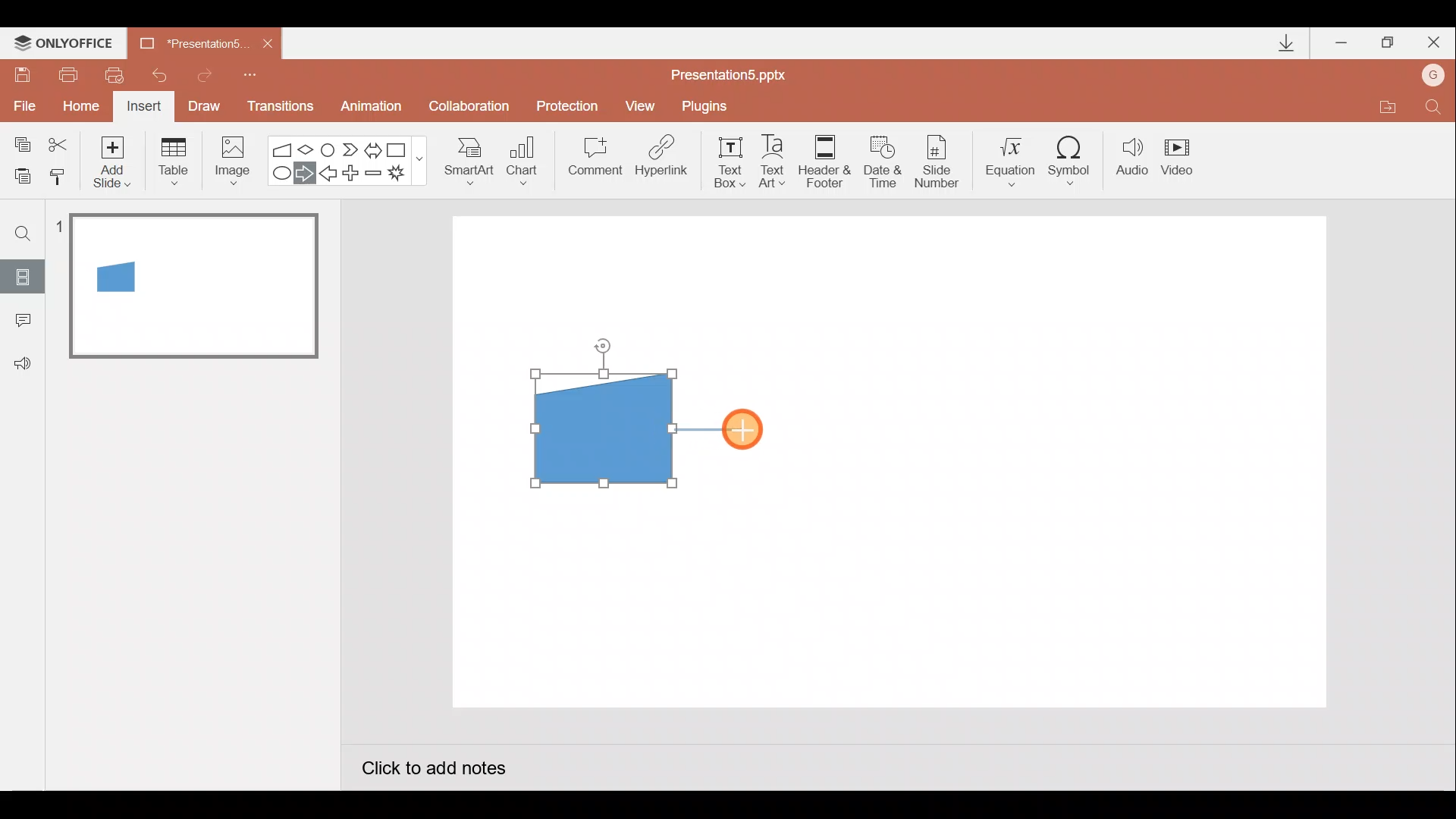 The image size is (1456, 819). What do you see at coordinates (172, 160) in the screenshot?
I see `Table` at bounding box center [172, 160].